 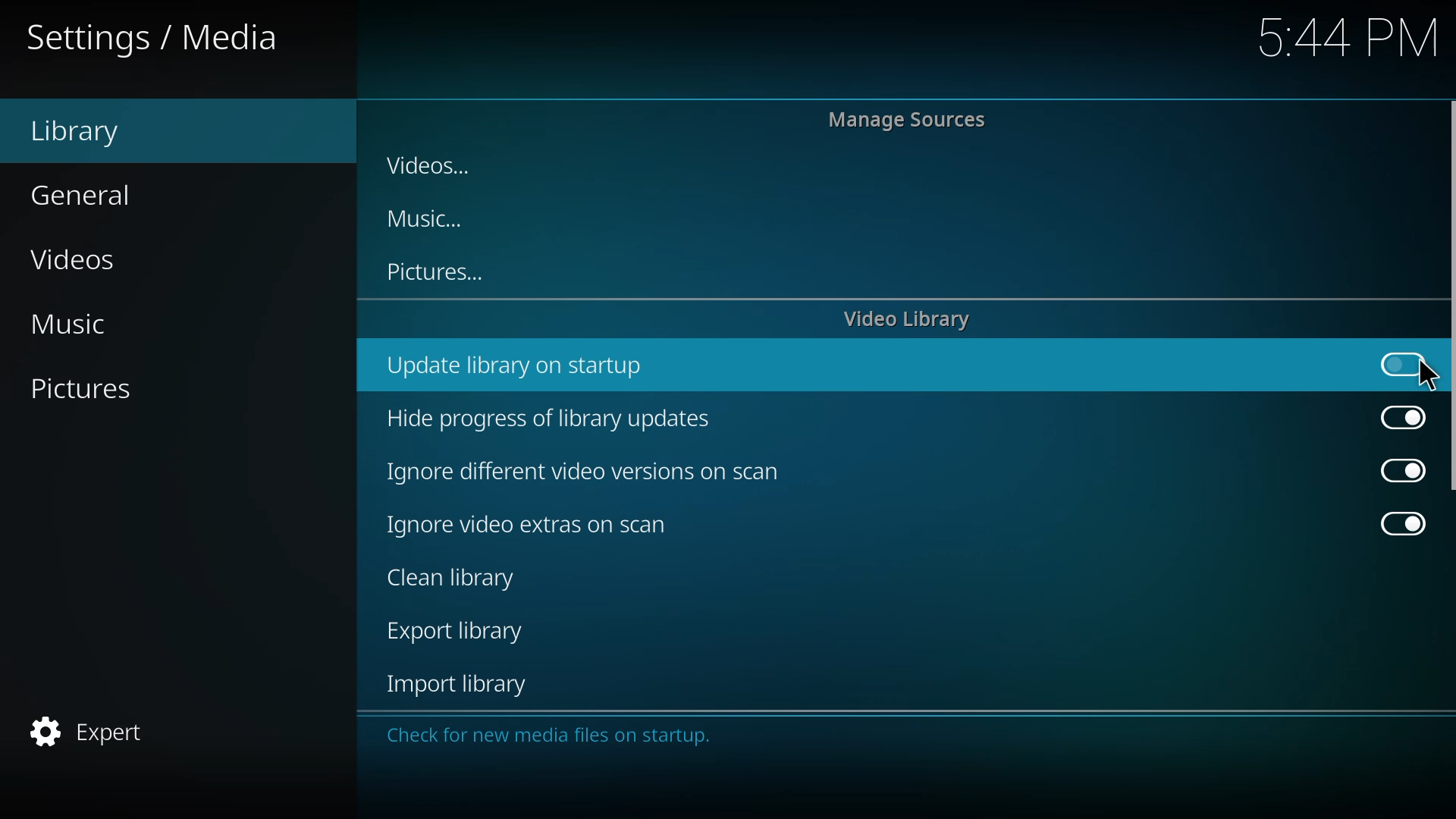 What do you see at coordinates (466, 629) in the screenshot?
I see `export library` at bounding box center [466, 629].